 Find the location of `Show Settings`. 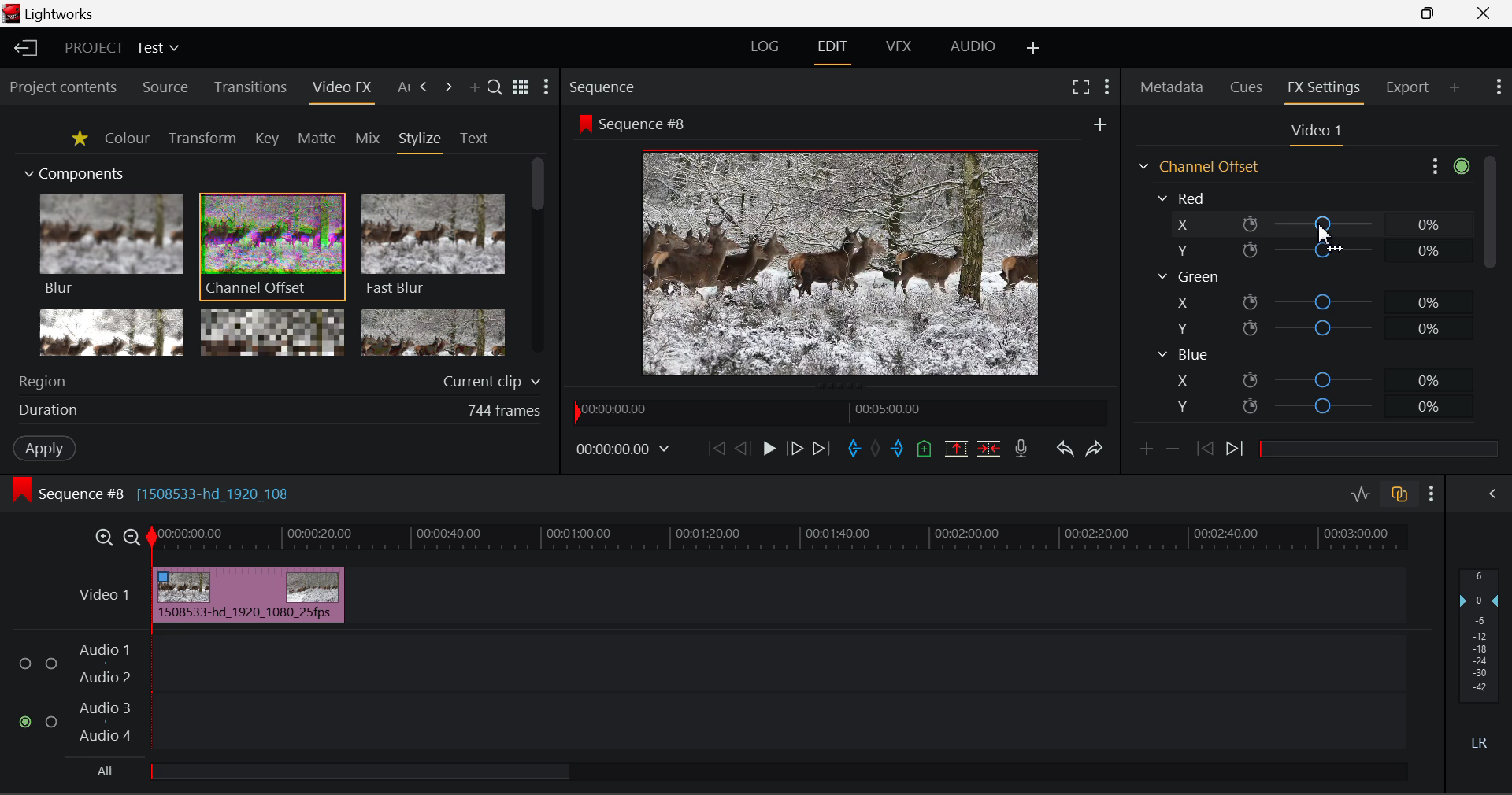

Show Settings is located at coordinates (1447, 167).